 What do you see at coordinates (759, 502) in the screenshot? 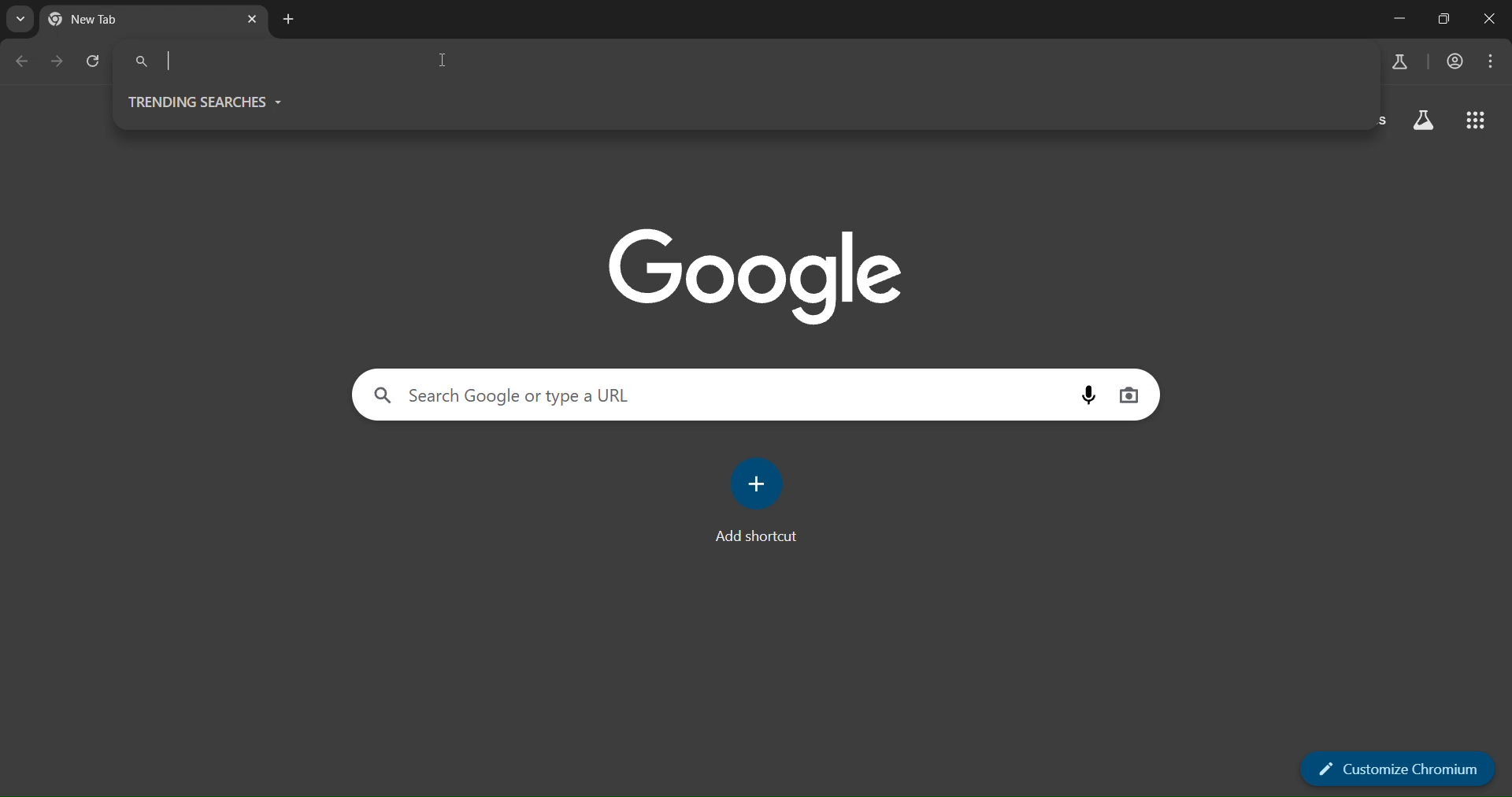
I see `add shortcut` at bounding box center [759, 502].